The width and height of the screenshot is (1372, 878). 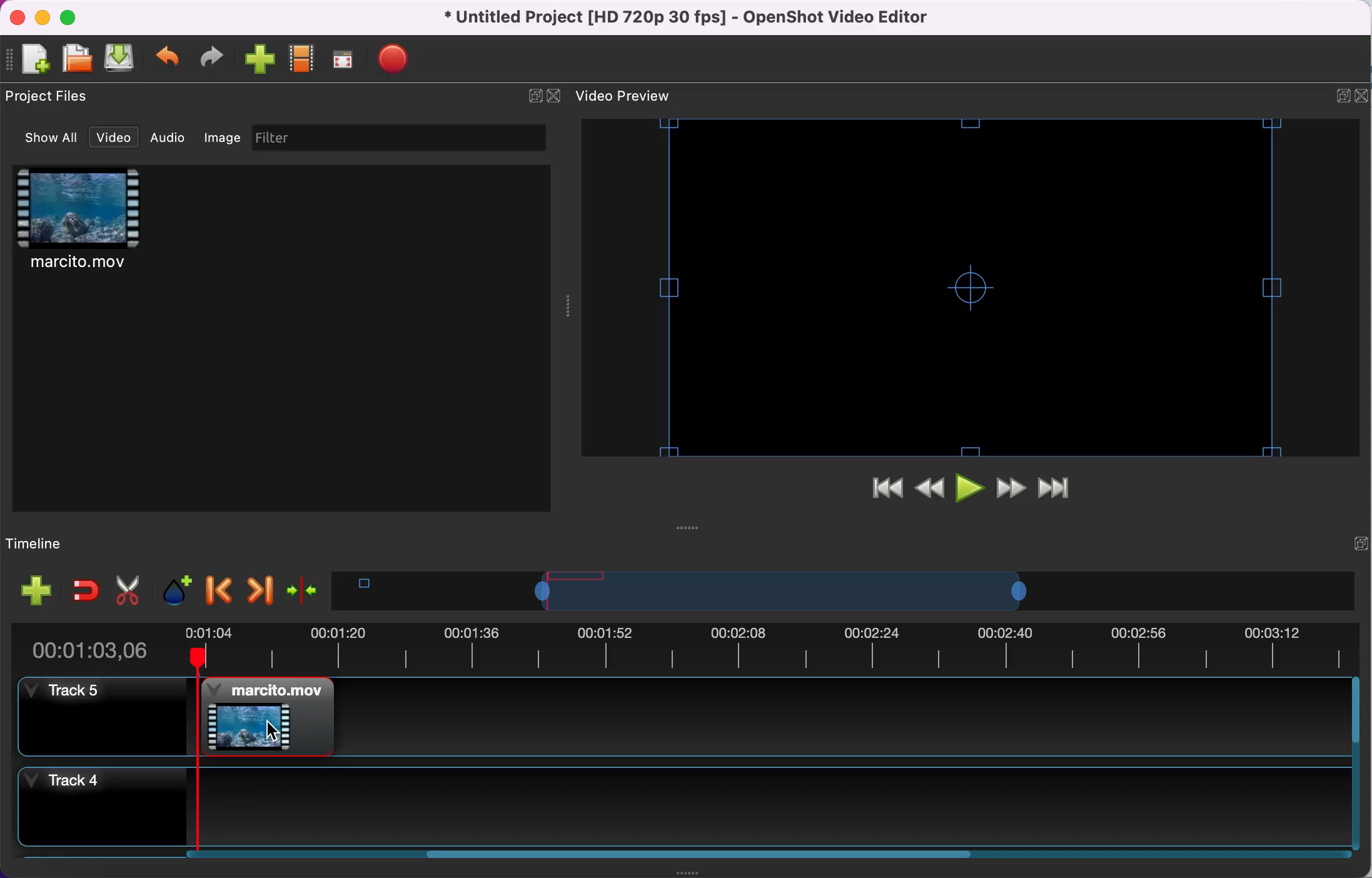 I want to click on expand/hide, so click(x=1340, y=94).